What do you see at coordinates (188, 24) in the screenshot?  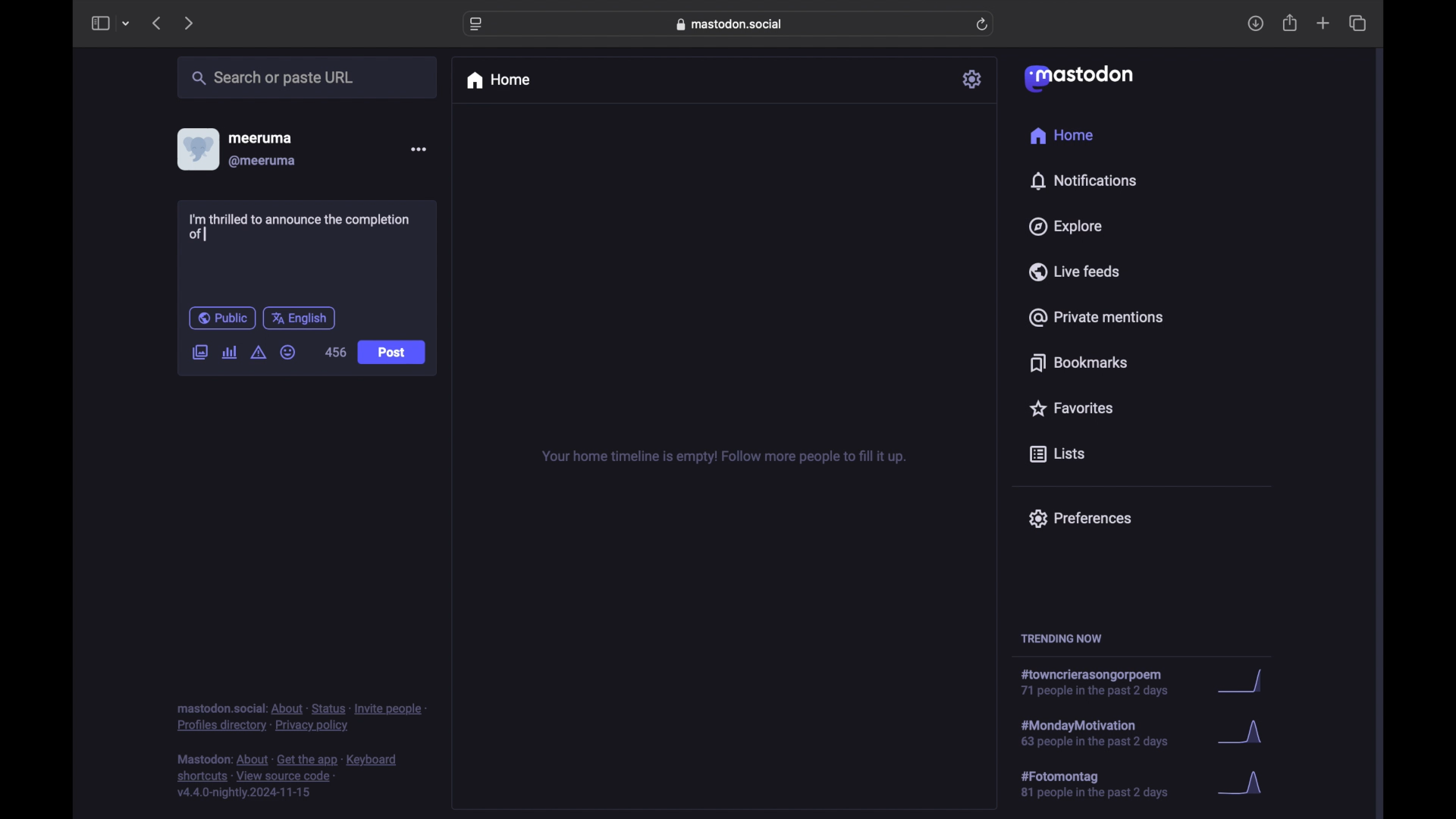 I see `next` at bounding box center [188, 24].